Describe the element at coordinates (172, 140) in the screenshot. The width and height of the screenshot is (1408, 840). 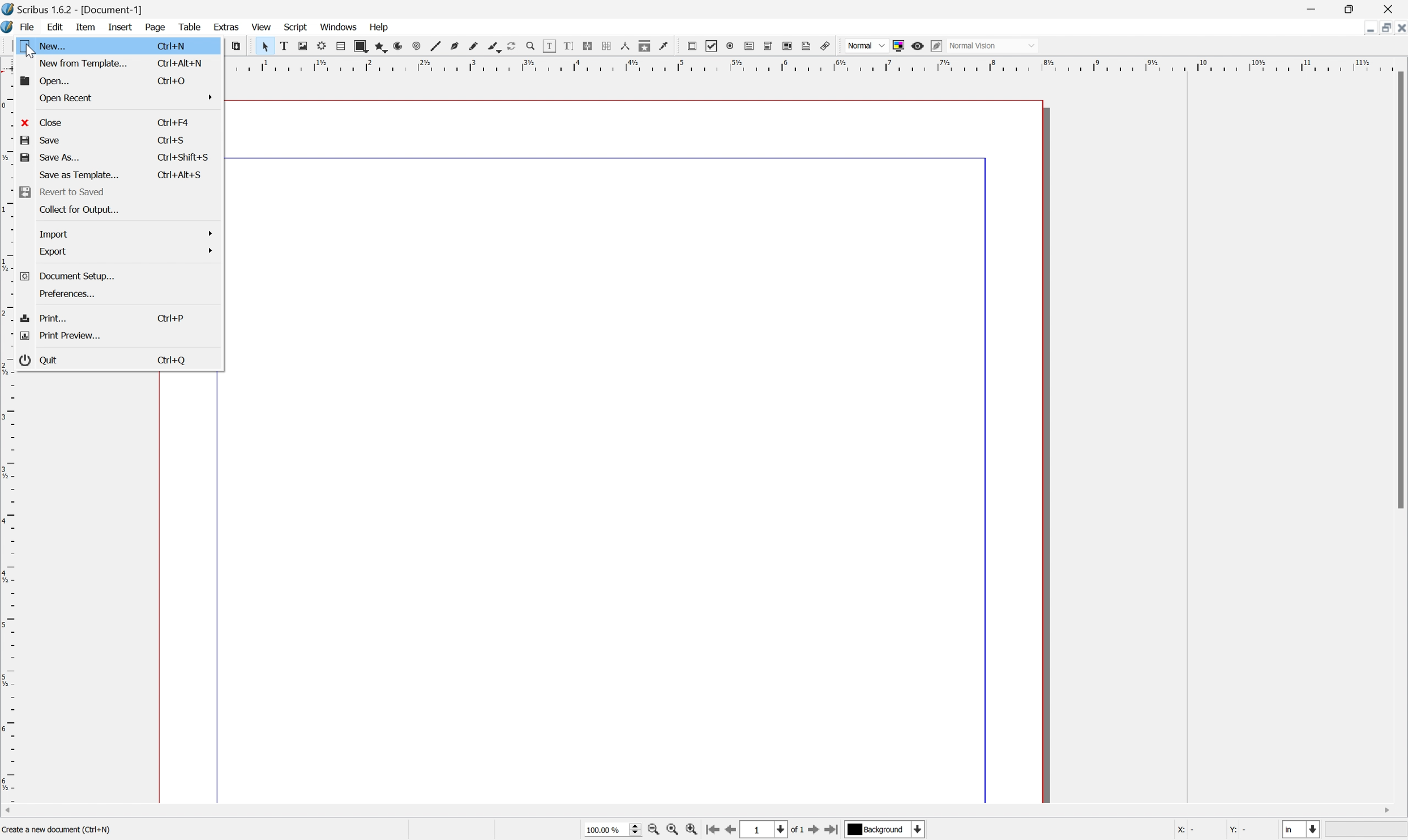
I see `ctrl+s` at that location.